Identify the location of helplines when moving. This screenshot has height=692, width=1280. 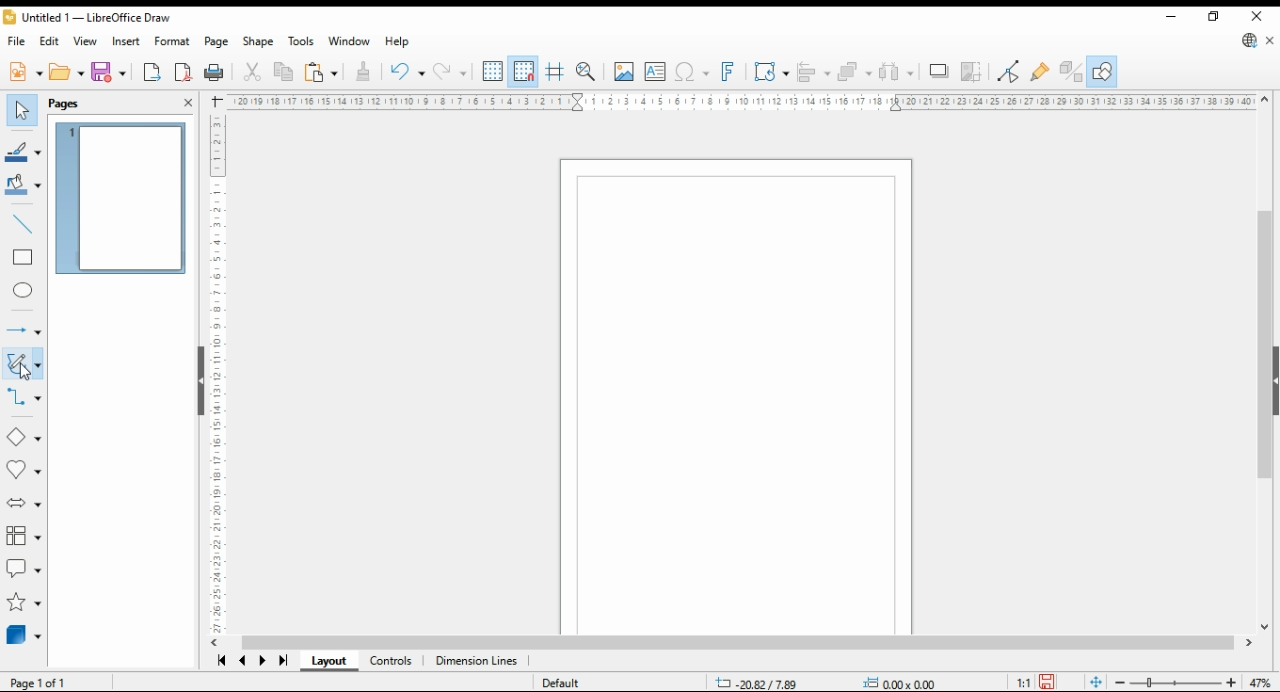
(556, 72).